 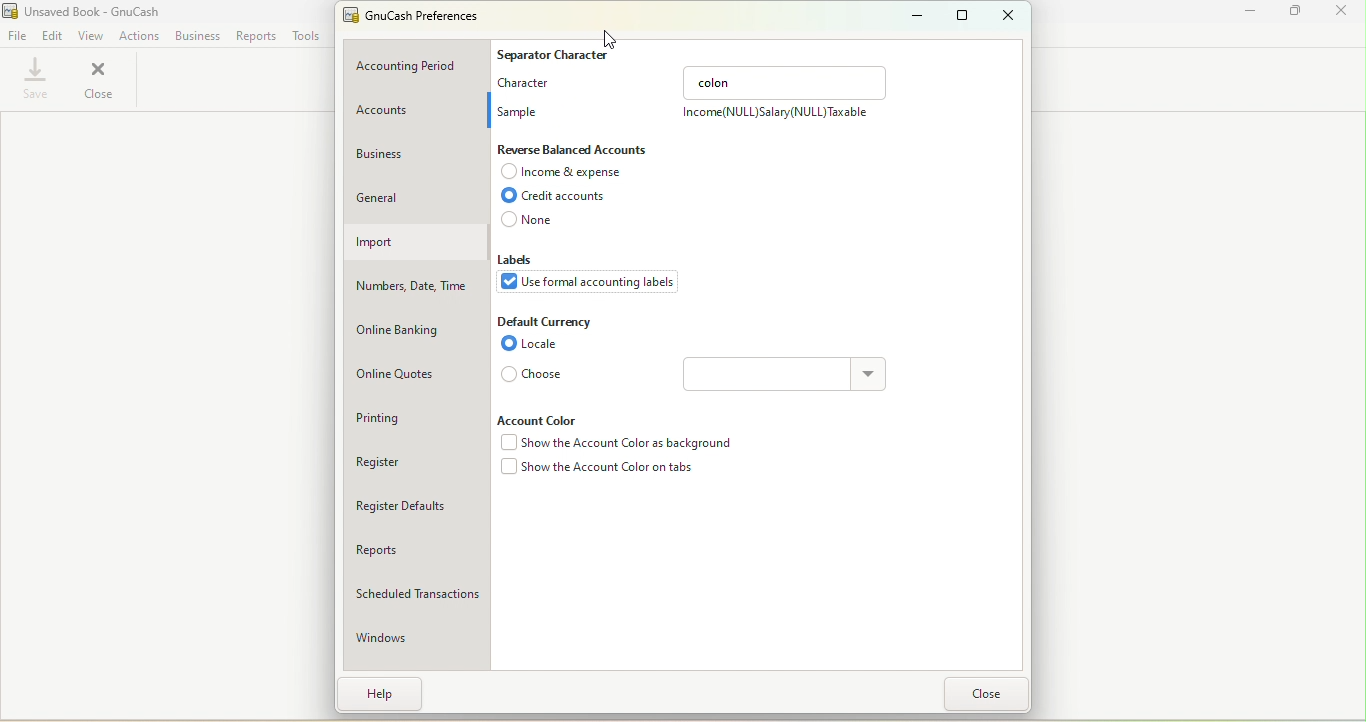 What do you see at coordinates (770, 374) in the screenshot?
I see `Text box` at bounding box center [770, 374].